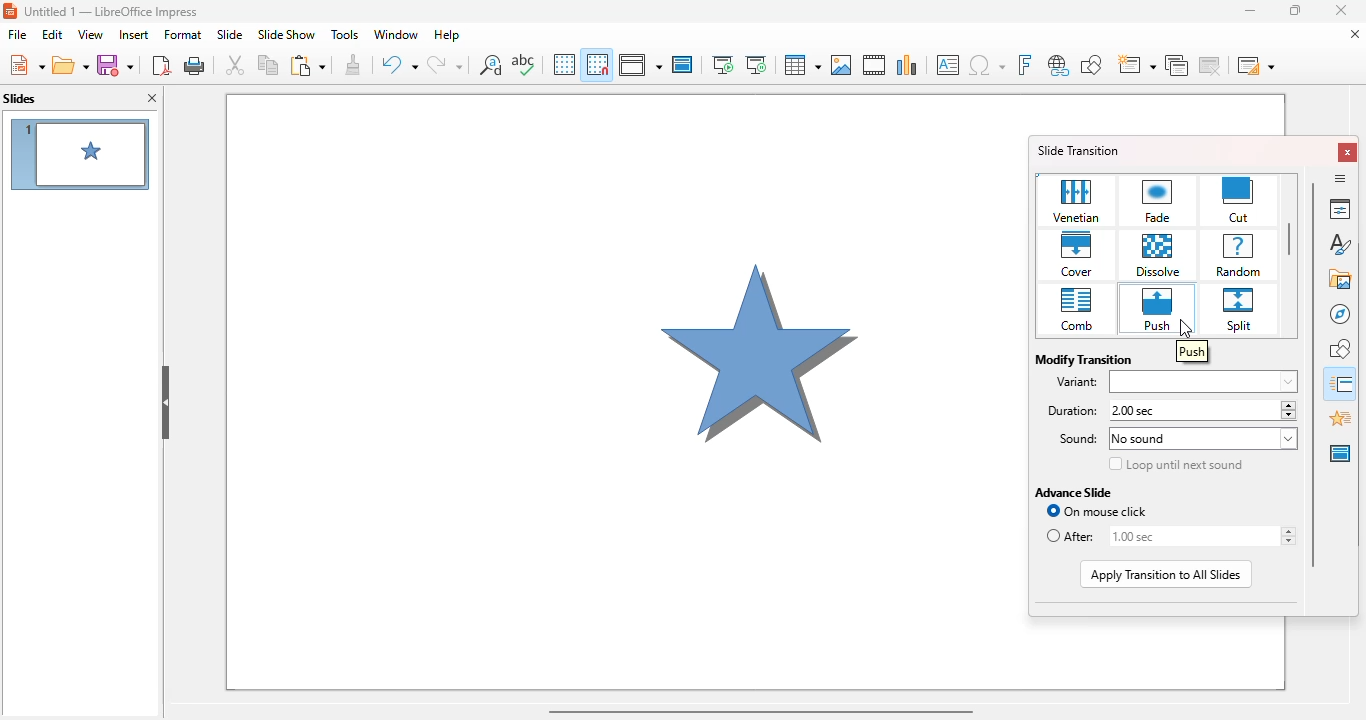 The image size is (1366, 720). What do you see at coordinates (523, 63) in the screenshot?
I see `spelling` at bounding box center [523, 63].